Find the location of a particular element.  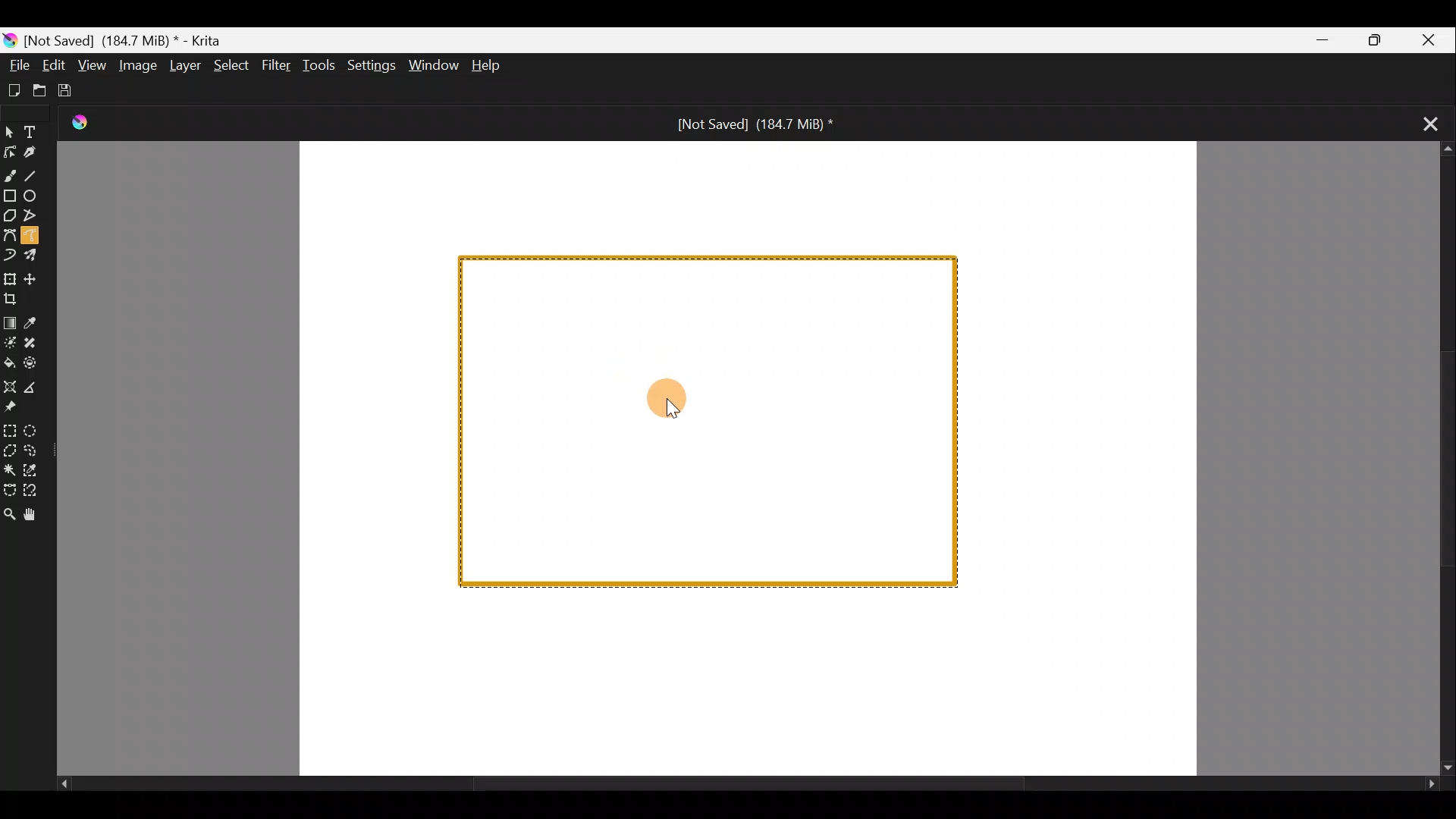

Maximize is located at coordinates (1379, 39).